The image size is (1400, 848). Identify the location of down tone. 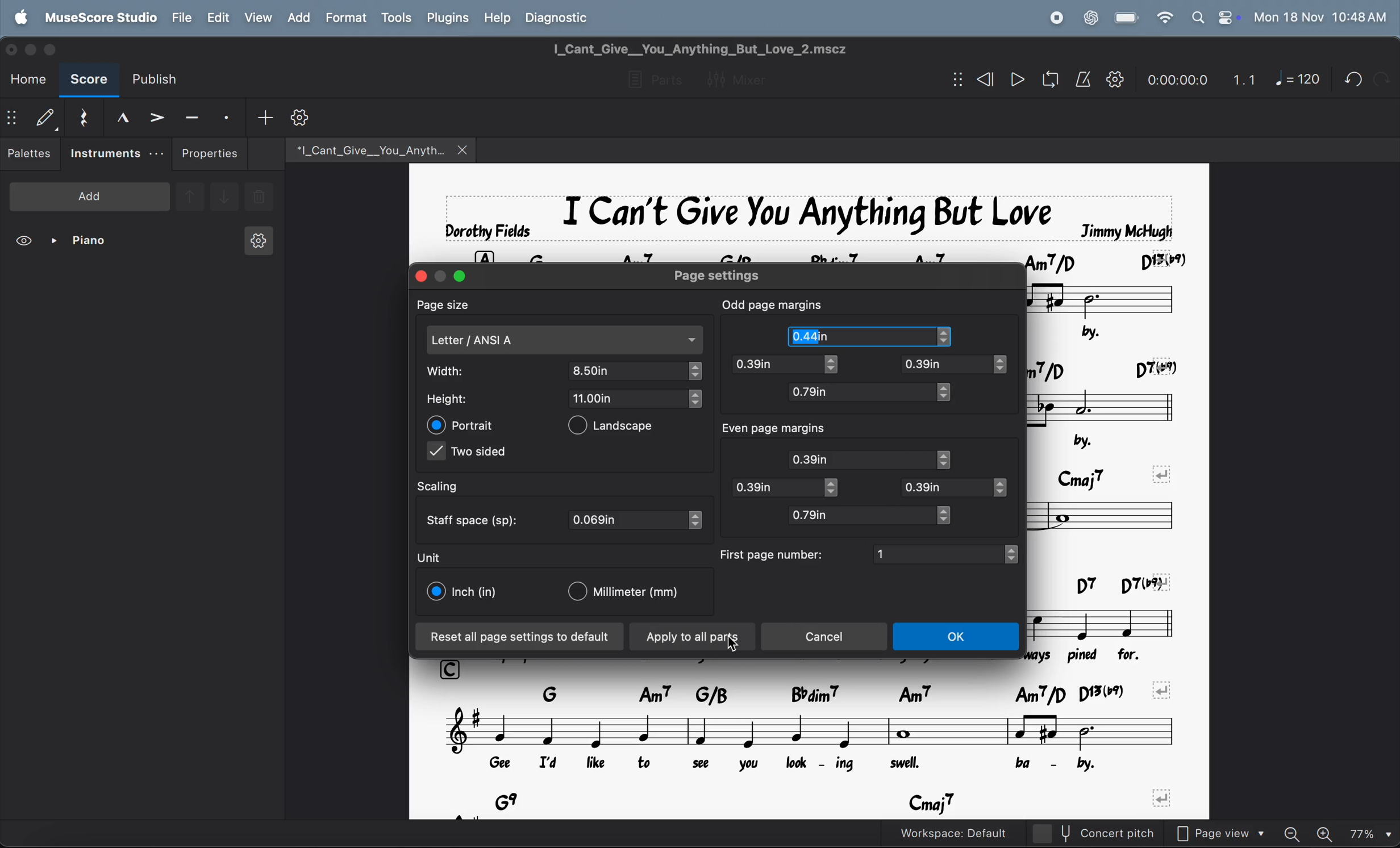
(225, 198).